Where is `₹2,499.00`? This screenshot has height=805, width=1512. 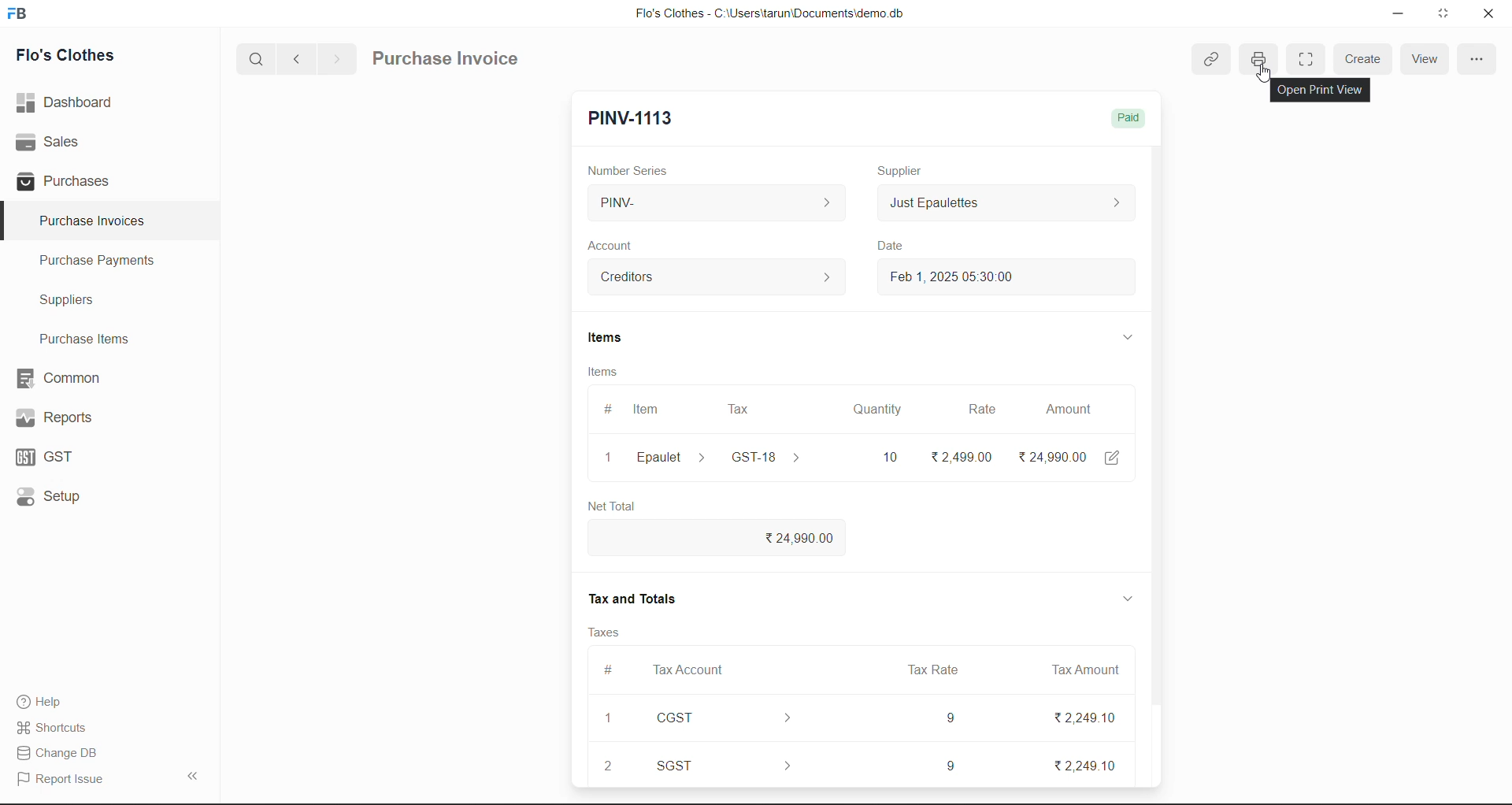 ₹2,499.00 is located at coordinates (962, 455).